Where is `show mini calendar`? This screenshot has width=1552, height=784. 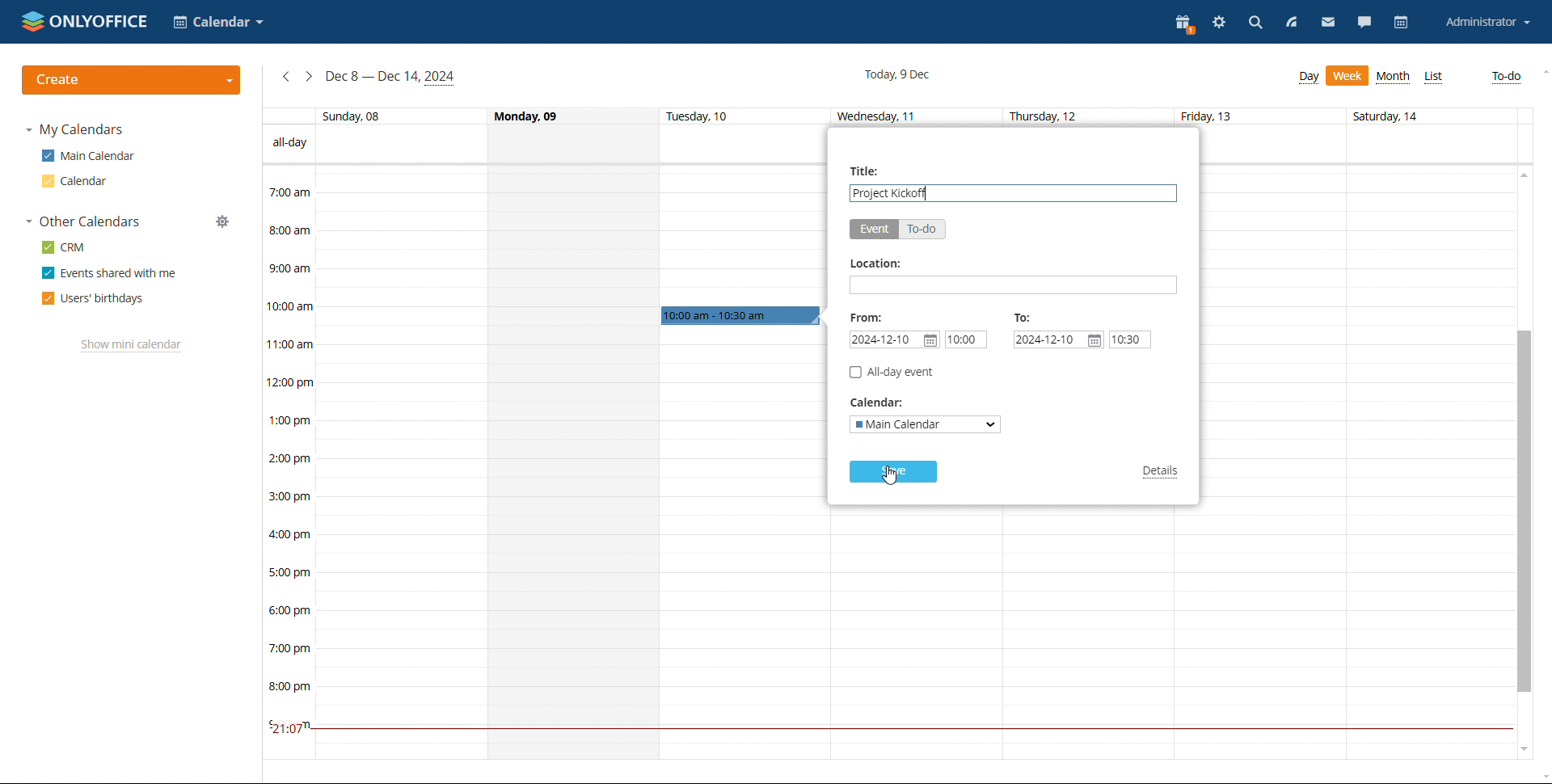
show mini calendar is located at coordinates (131, 346).